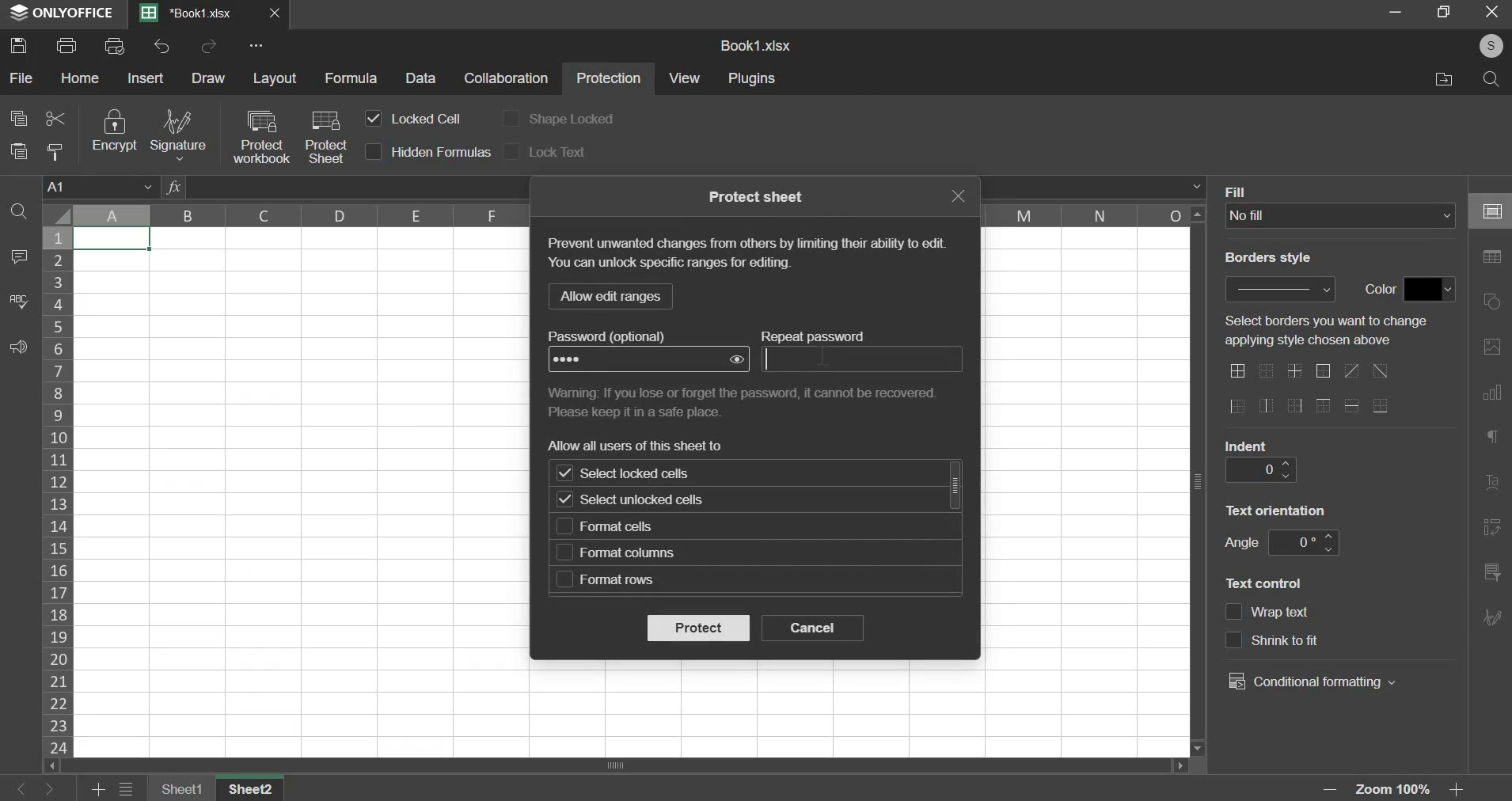 The image size is (1512, 801). Describe the element at coordinates (1497, 14) in the screenshot. I see `Cancel` at that location.